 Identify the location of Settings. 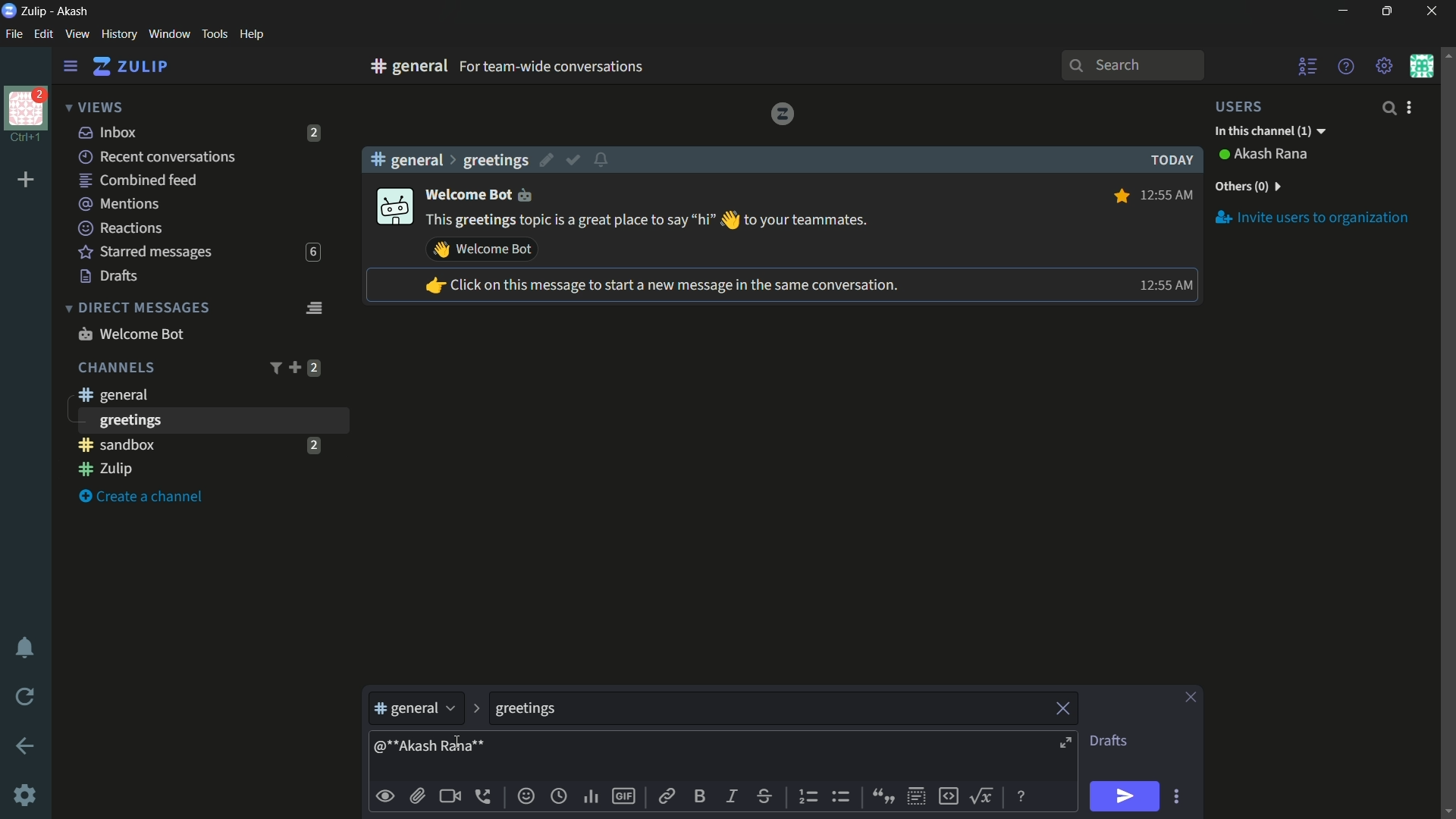
(25, 795).